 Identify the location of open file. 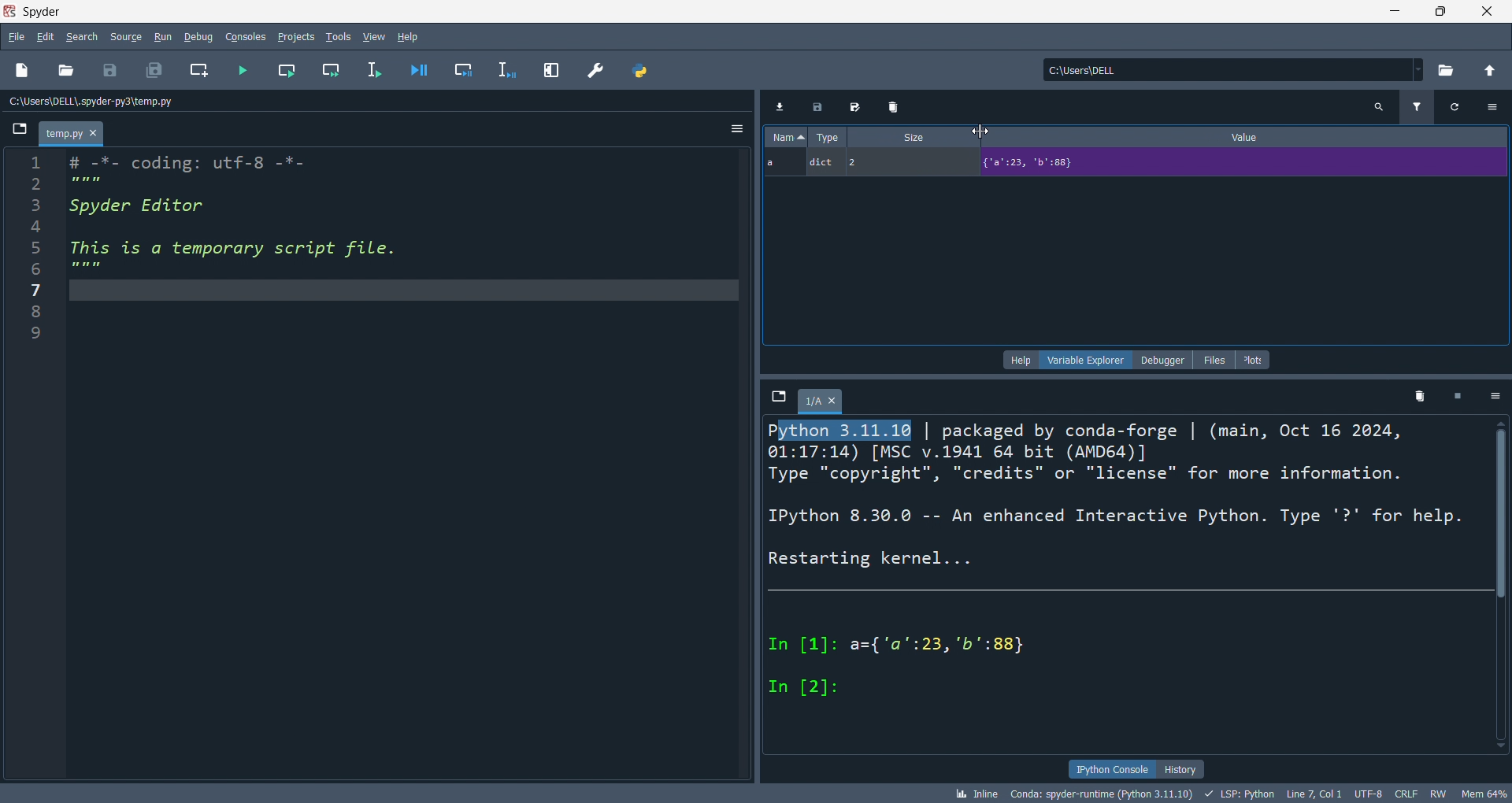
(64, 72).